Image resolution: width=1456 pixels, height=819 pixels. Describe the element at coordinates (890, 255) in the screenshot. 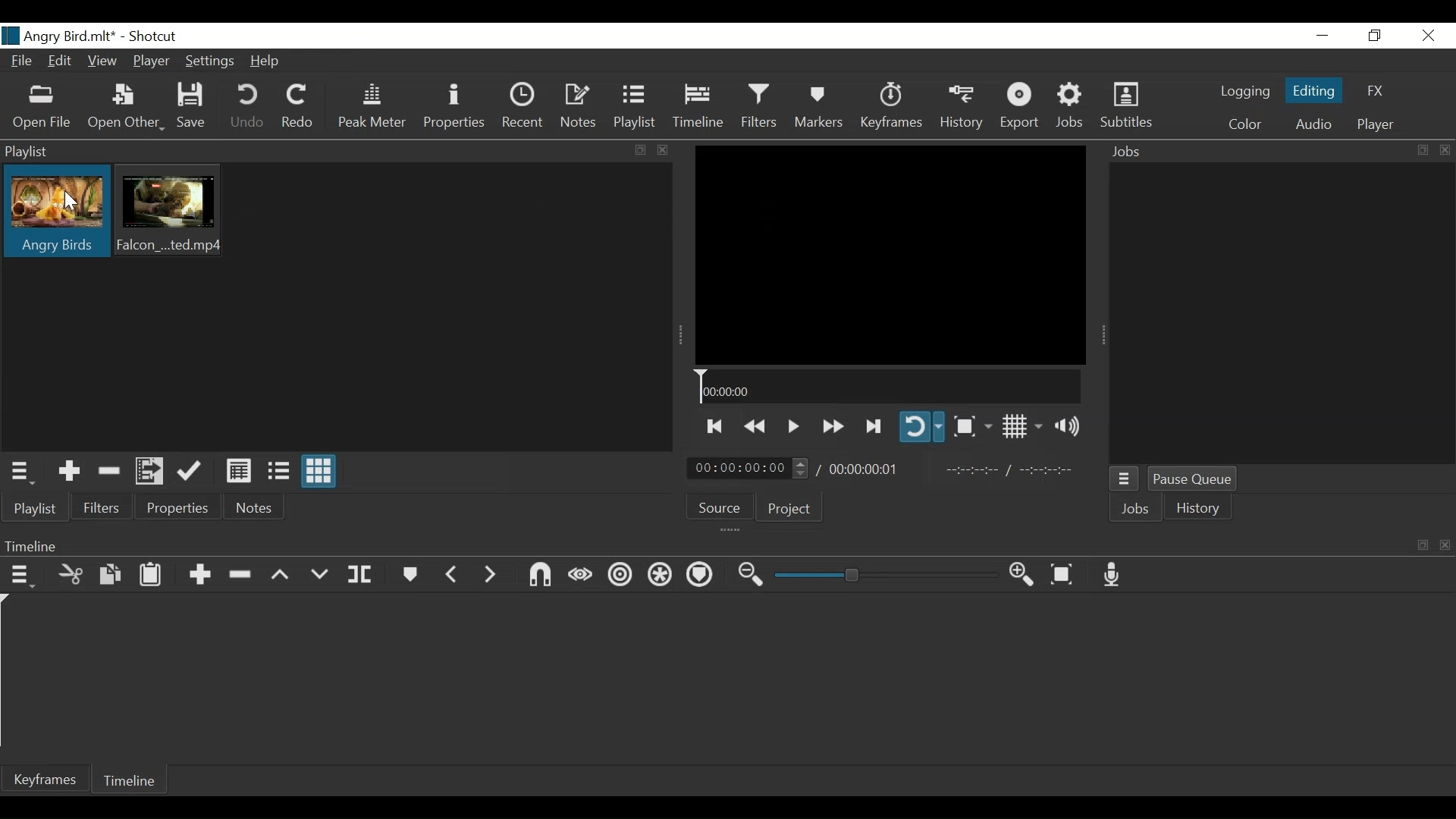

I see `Media Viewer` at that location.